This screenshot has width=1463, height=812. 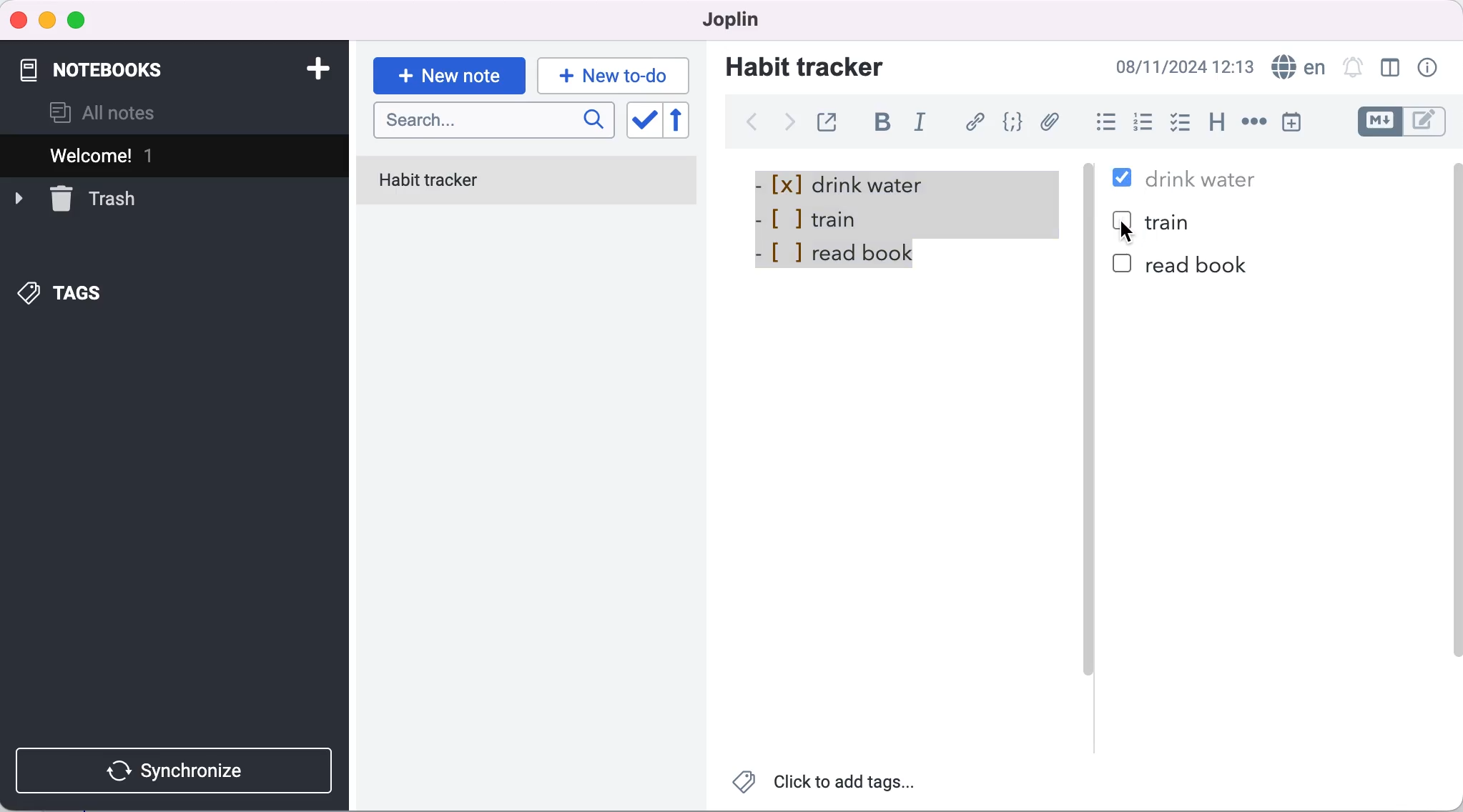 I want to click on bold, so click(x=888, y=124).